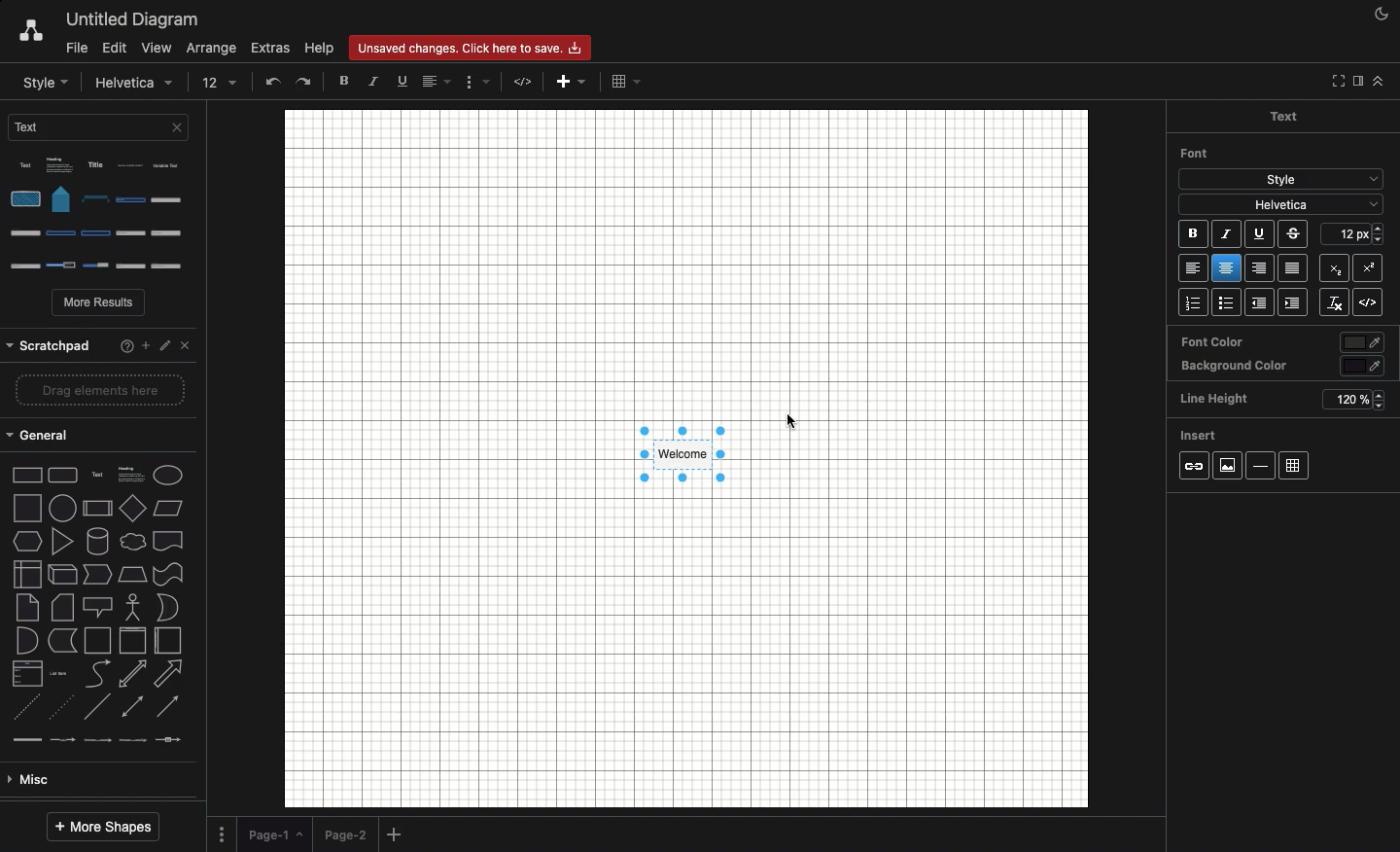  What do you see at coordinates (1276, 367) in the screenshot?
I see `Background color` at bounding box center [1276, 367].